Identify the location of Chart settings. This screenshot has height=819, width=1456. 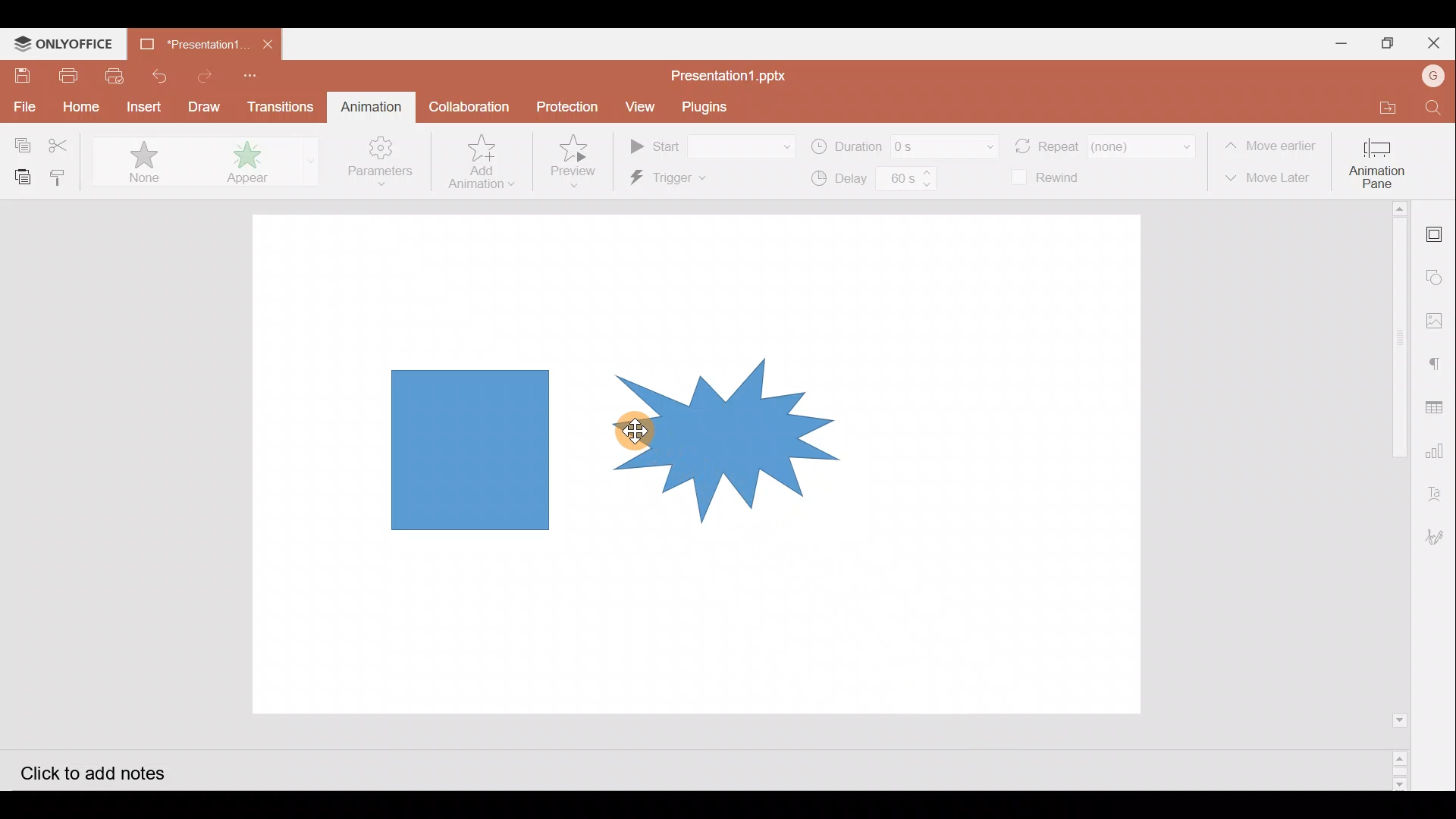
(1438, 450).